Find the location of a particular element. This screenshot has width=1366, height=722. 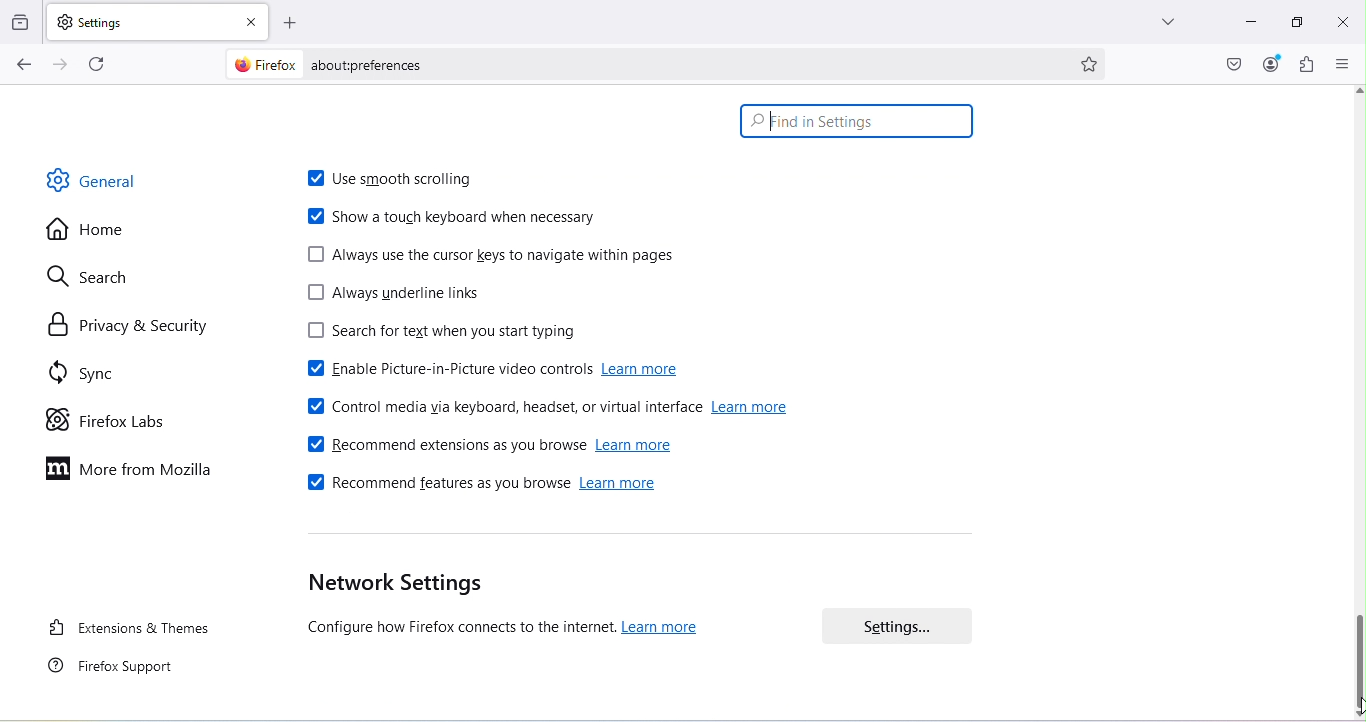

Privacy and security is located at coordinates (127, 325).